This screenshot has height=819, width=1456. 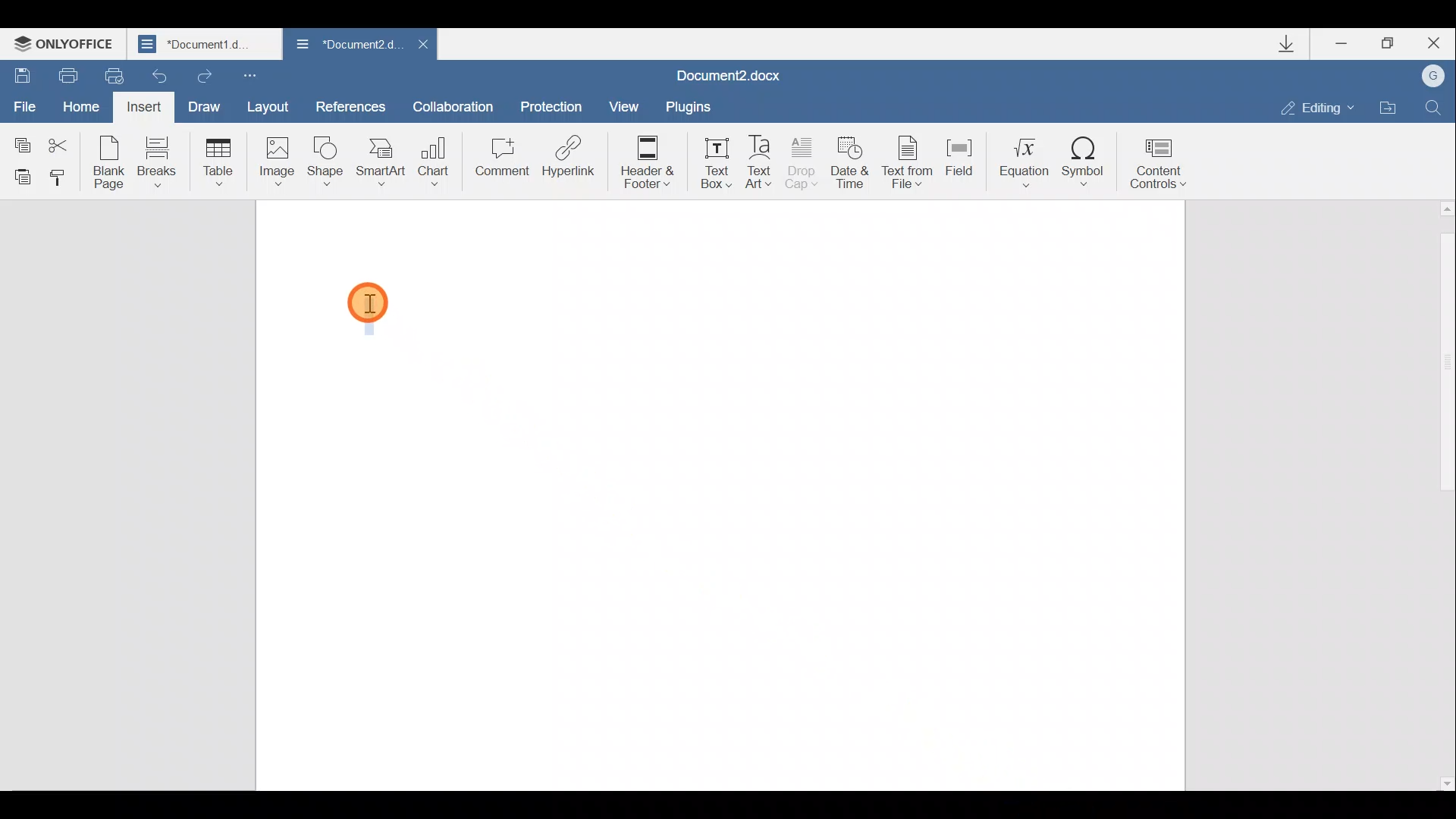 I want to click on ONLYOFFICE, so click(x=67, y=45).